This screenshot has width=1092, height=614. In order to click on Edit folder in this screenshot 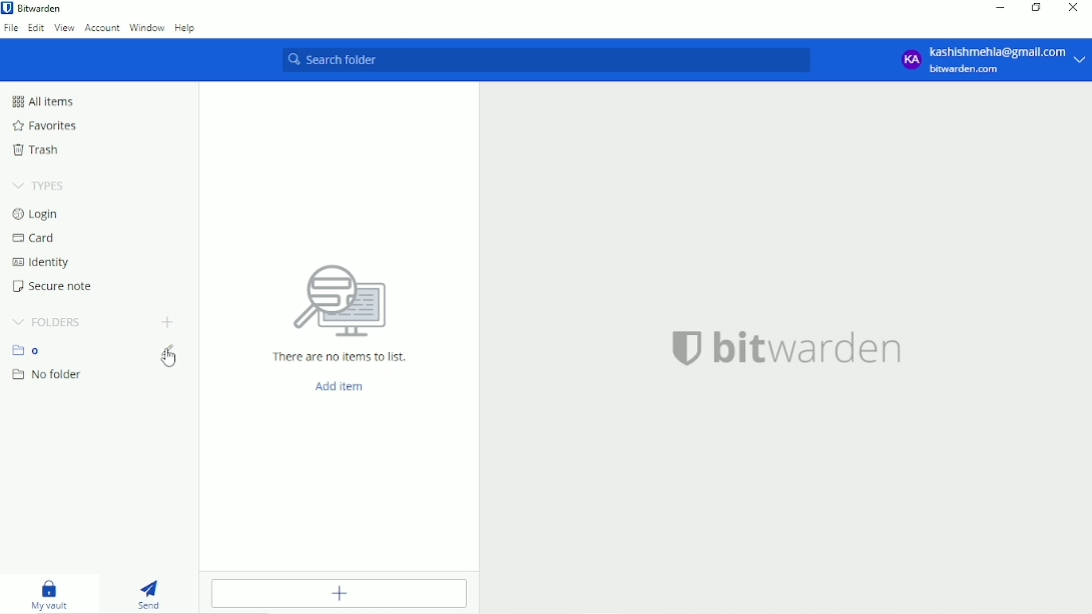, I will do `click(172, 355)`.